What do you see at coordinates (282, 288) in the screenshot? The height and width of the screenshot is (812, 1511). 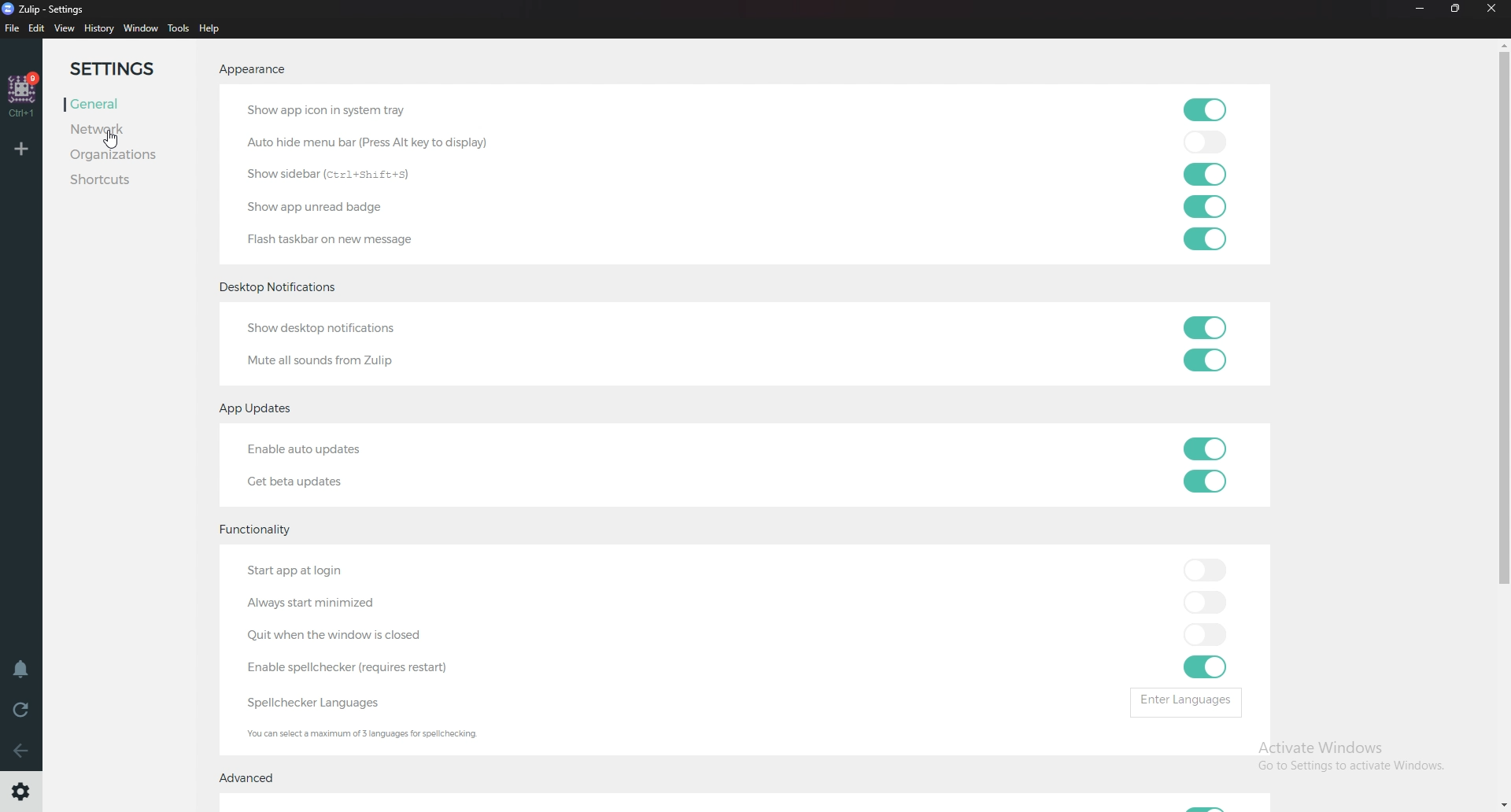 I see `Desktop notifications` at bounding box center [282, 288].